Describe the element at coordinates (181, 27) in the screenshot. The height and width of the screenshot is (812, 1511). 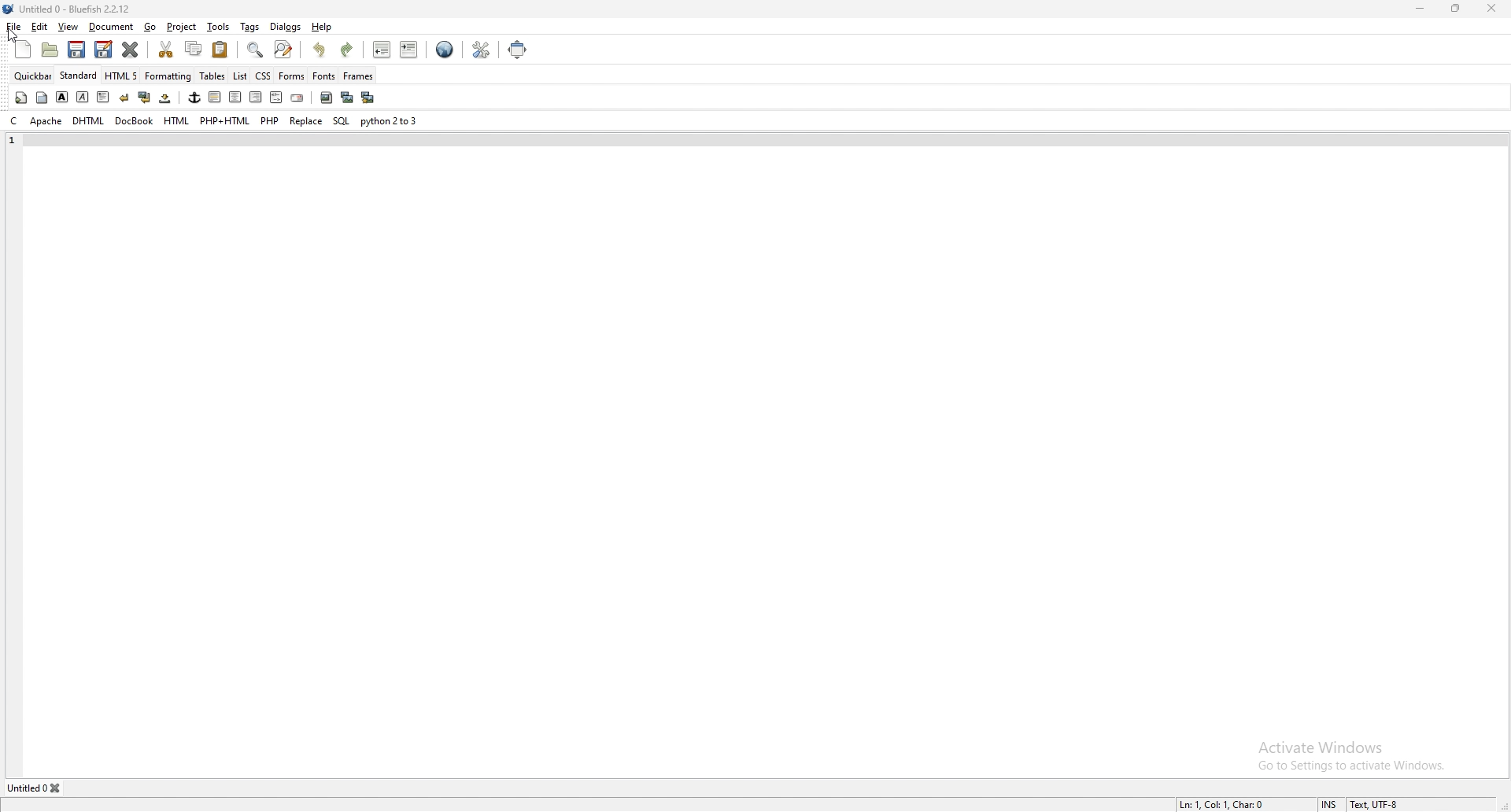
I see `project` at that location.